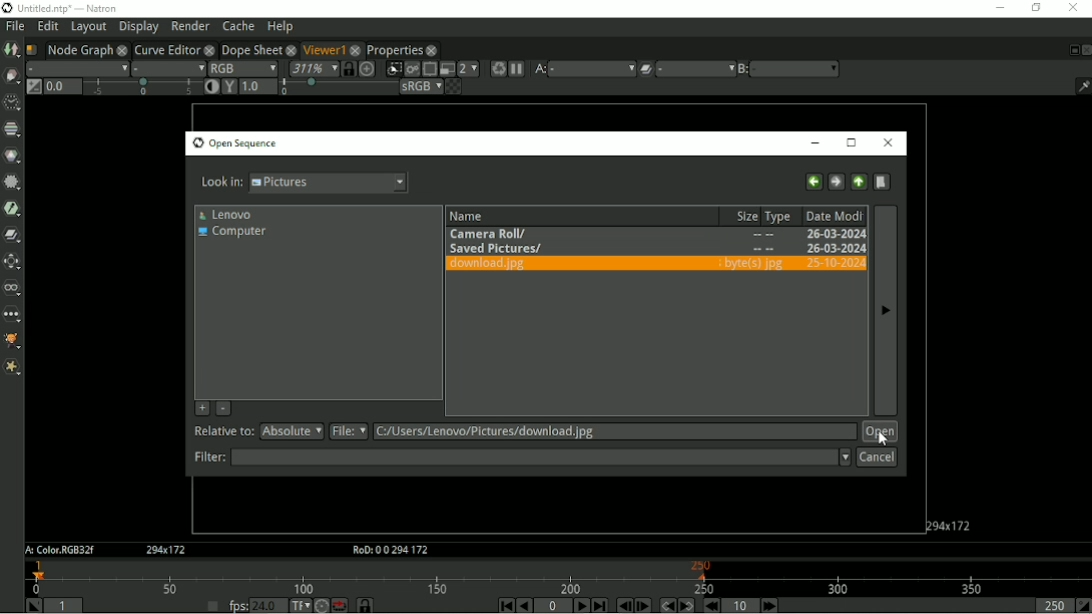  Describe the element at coordinates (58, 551) in the screenshot. I see `A:Color.RGB32f` at that location.